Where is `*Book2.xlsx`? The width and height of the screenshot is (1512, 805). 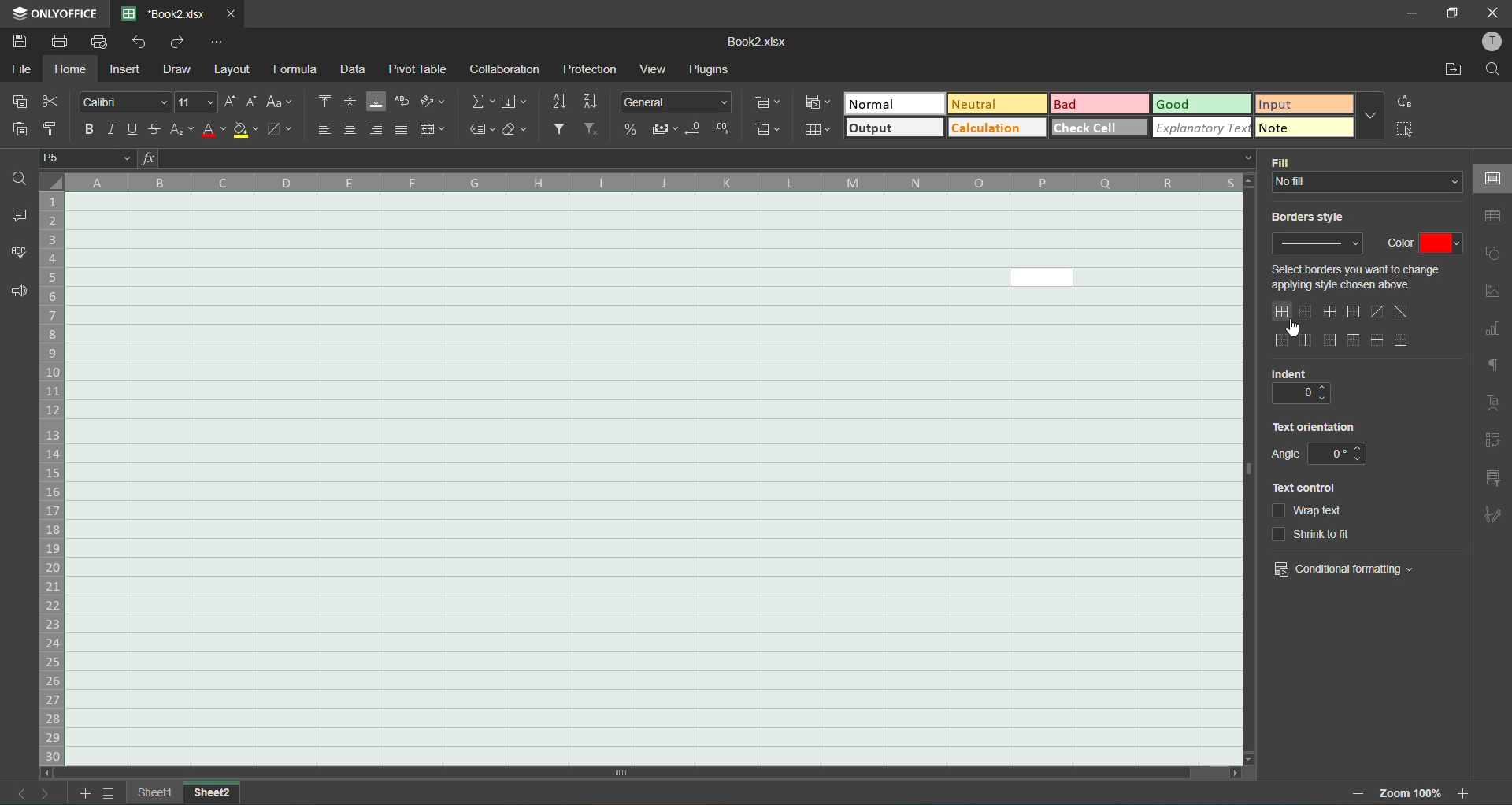
*Book2.xlsx is located at coordinates (166, 12).